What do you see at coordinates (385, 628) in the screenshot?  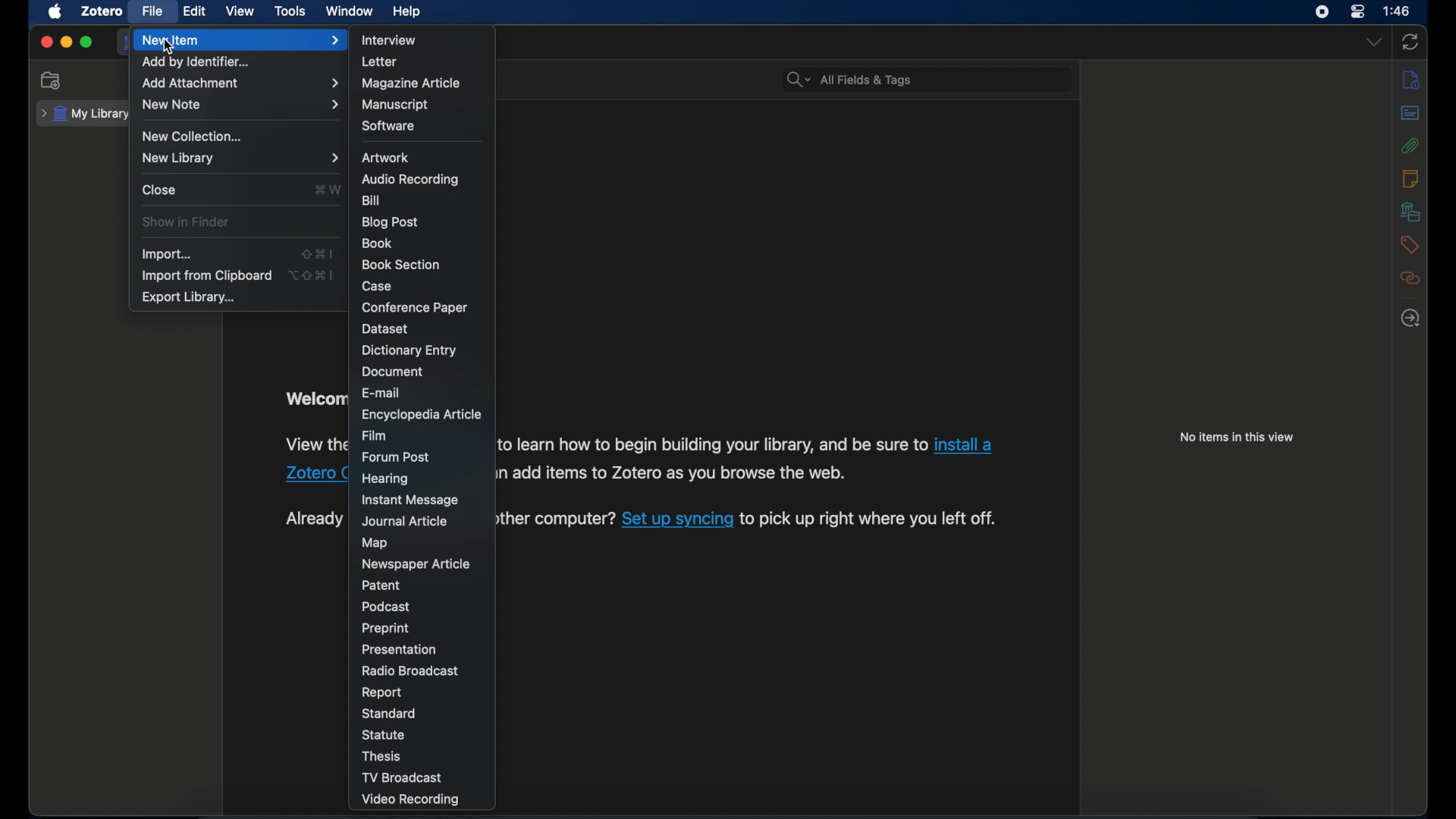 I see `preprint` at bounding box center [385, 628].